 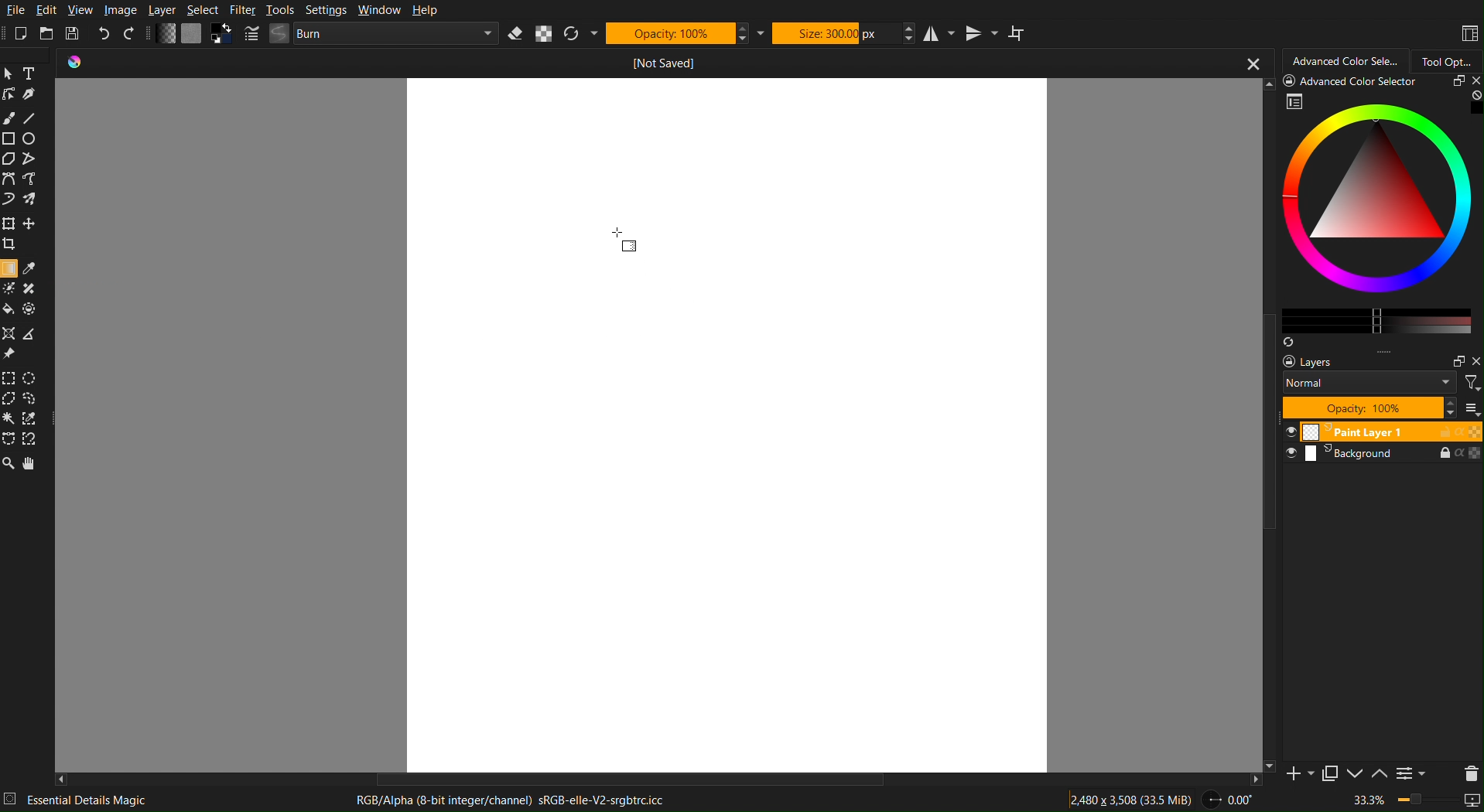 I want to click on Wrap Around, so click(x=1017, y=32).